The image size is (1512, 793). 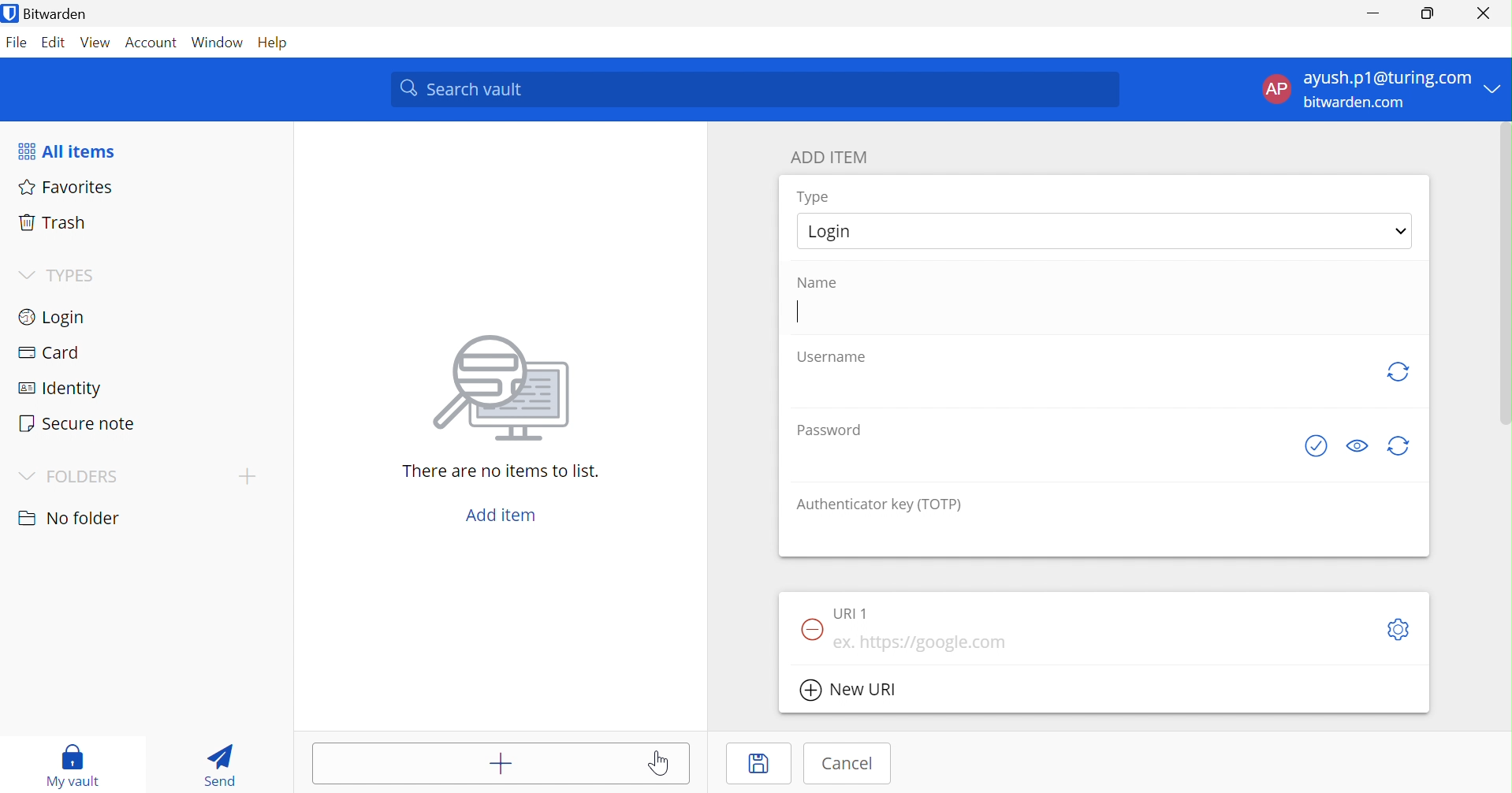 I want to click on Toggle visibility, so click(x=1357, y=445).